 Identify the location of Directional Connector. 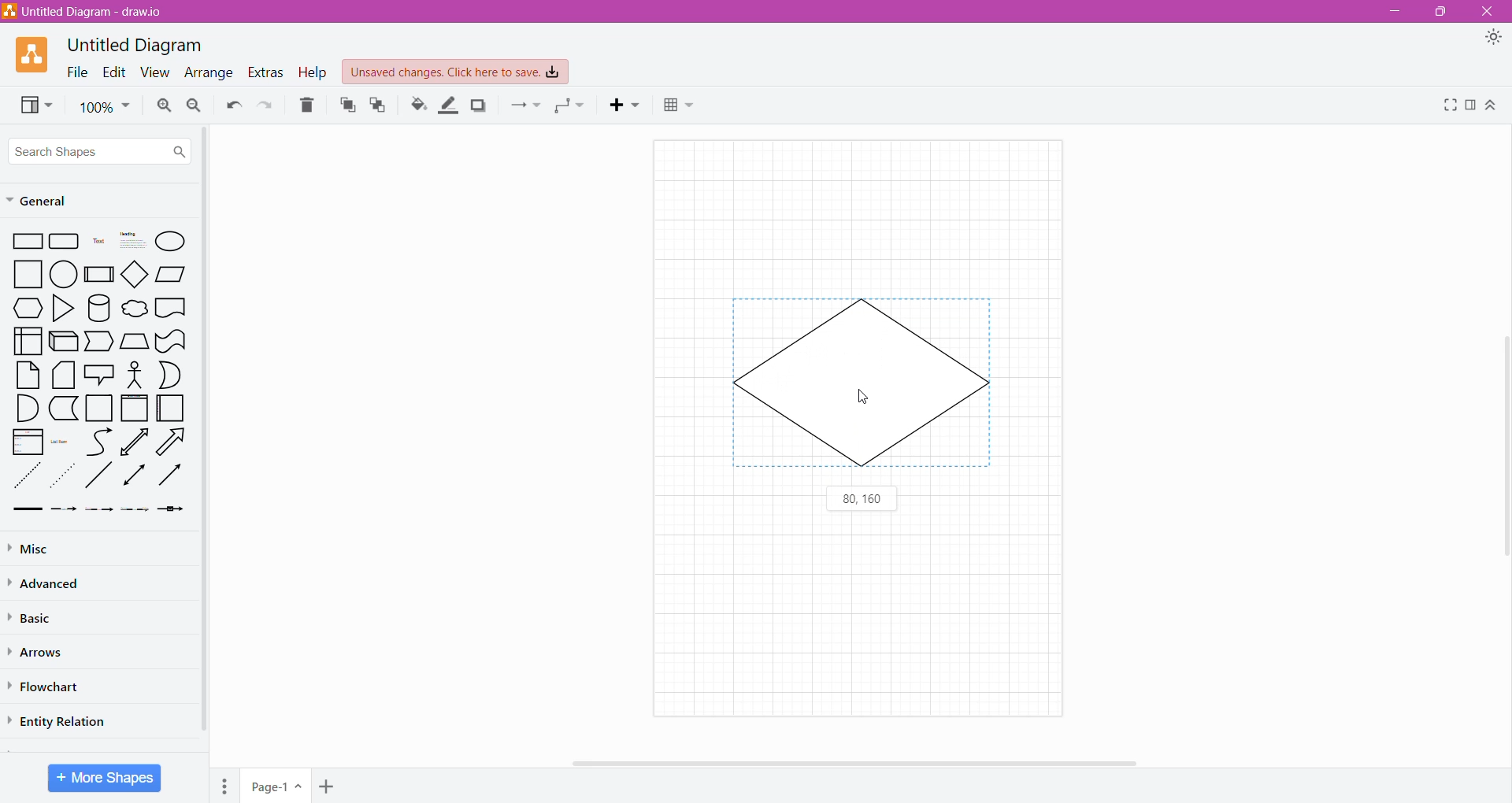
(173, 479).